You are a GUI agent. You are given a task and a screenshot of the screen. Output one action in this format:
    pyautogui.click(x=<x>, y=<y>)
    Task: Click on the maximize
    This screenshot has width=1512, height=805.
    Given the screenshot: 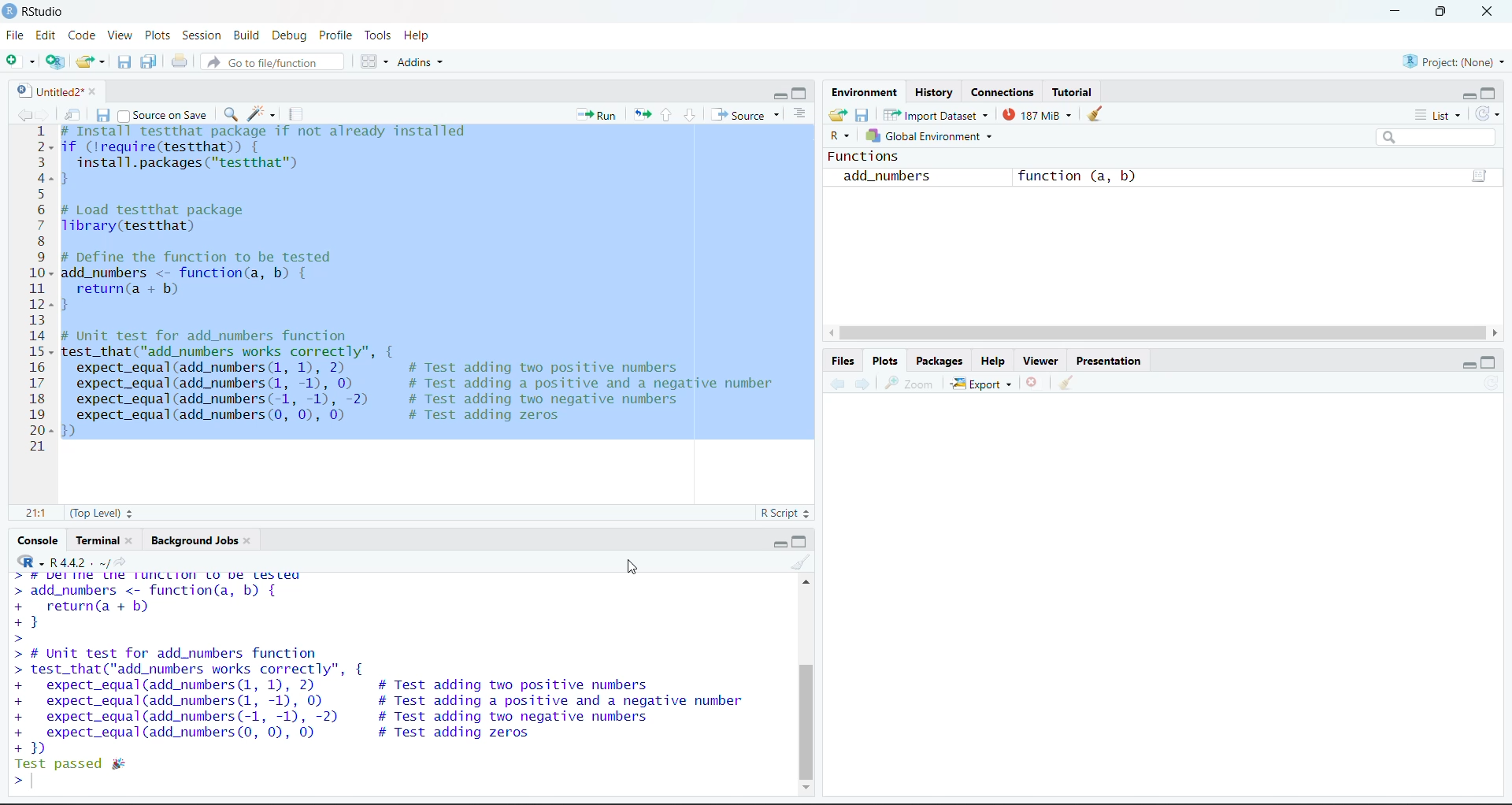 What is the action you would take?
    pyautogui.click(x=799, y=542)
    